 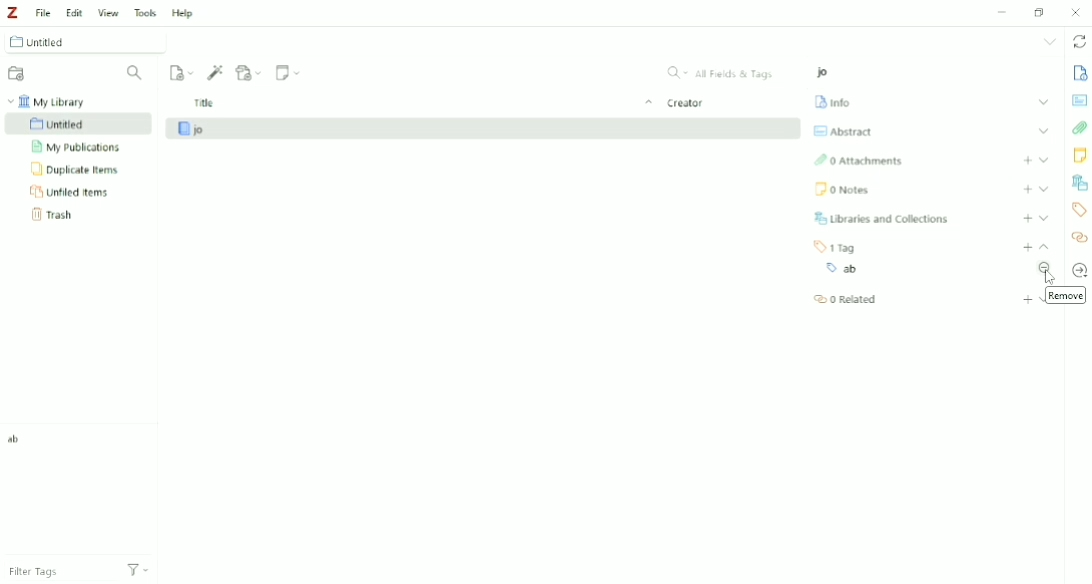 What do you see at coordinates (860, 160) in the screenshot?
I see `Attachments` at bounding box center [860, 160].